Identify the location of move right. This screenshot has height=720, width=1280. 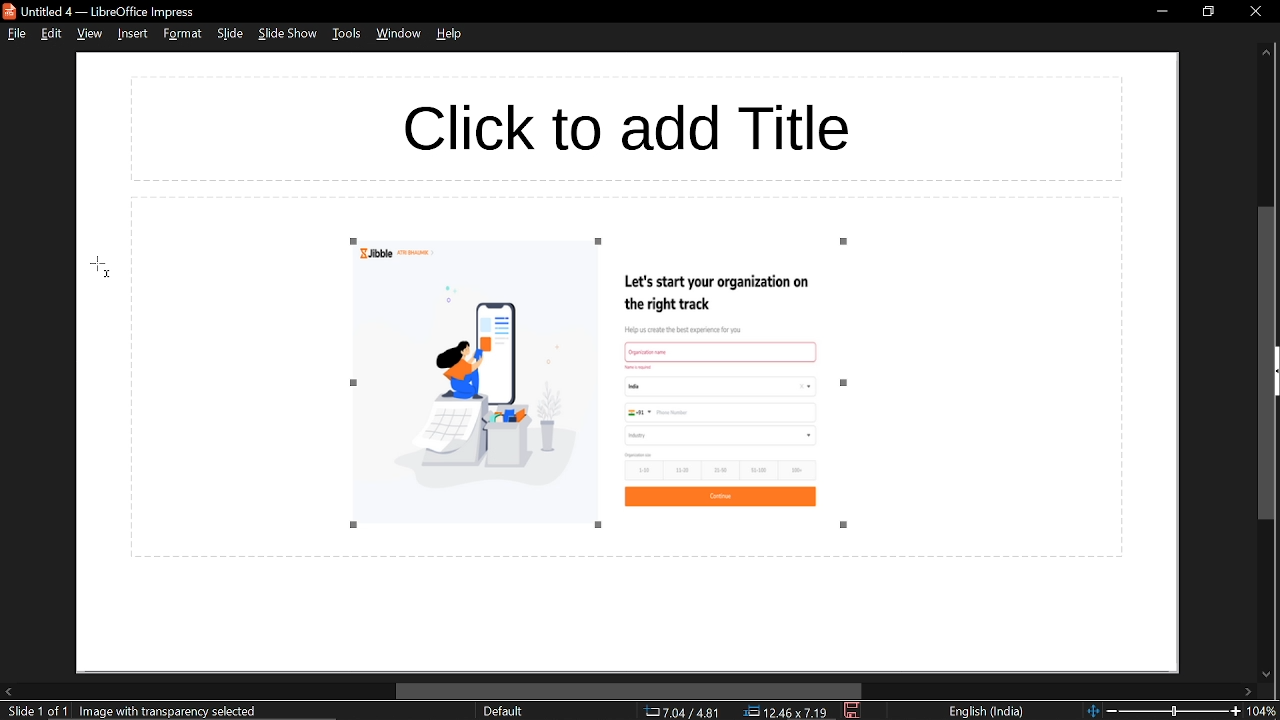
(1249, 691).